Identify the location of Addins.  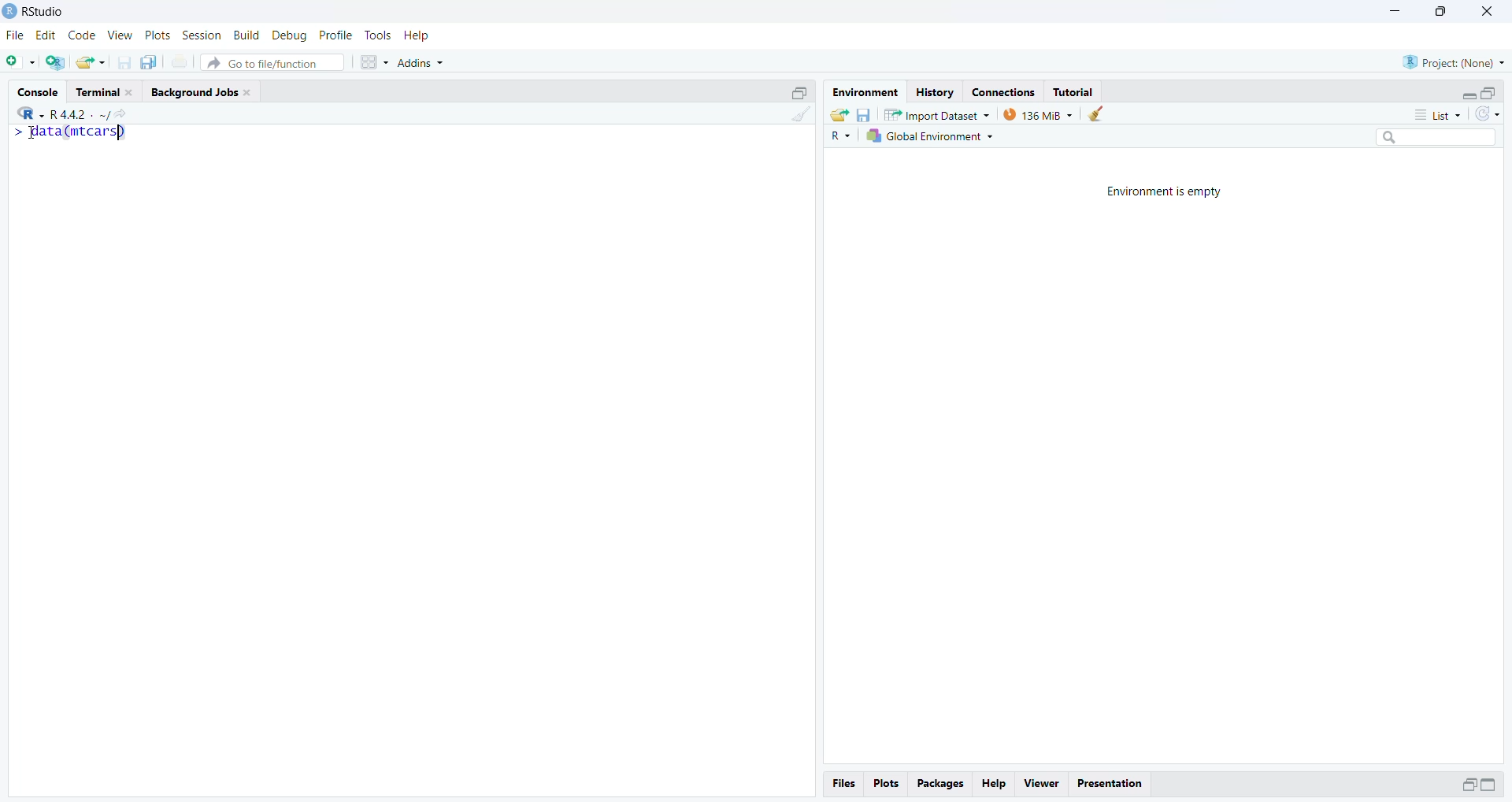
(425, 59).